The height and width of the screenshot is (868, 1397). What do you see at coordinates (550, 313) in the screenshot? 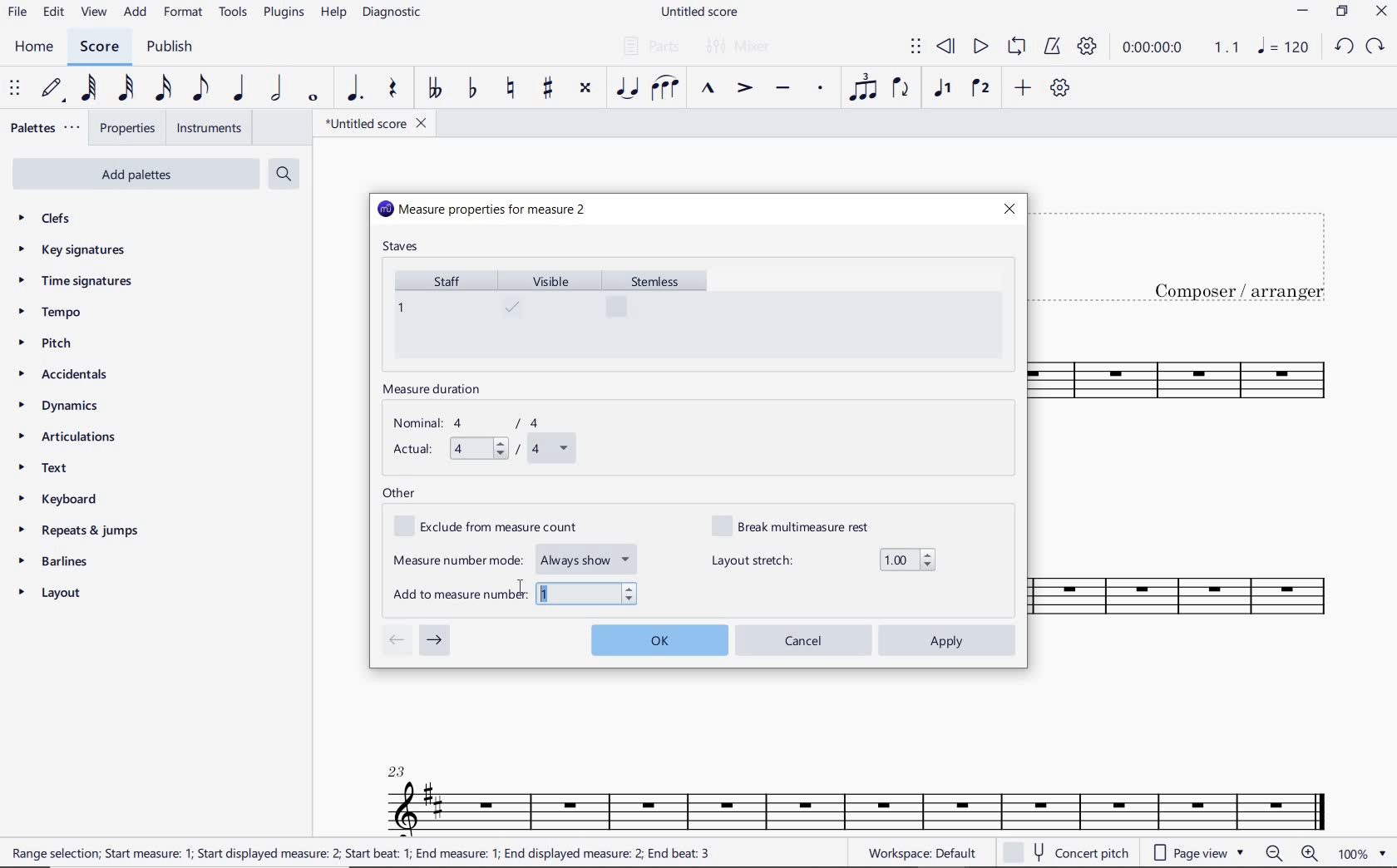
I see `visible` at bounding box center [550, 313].